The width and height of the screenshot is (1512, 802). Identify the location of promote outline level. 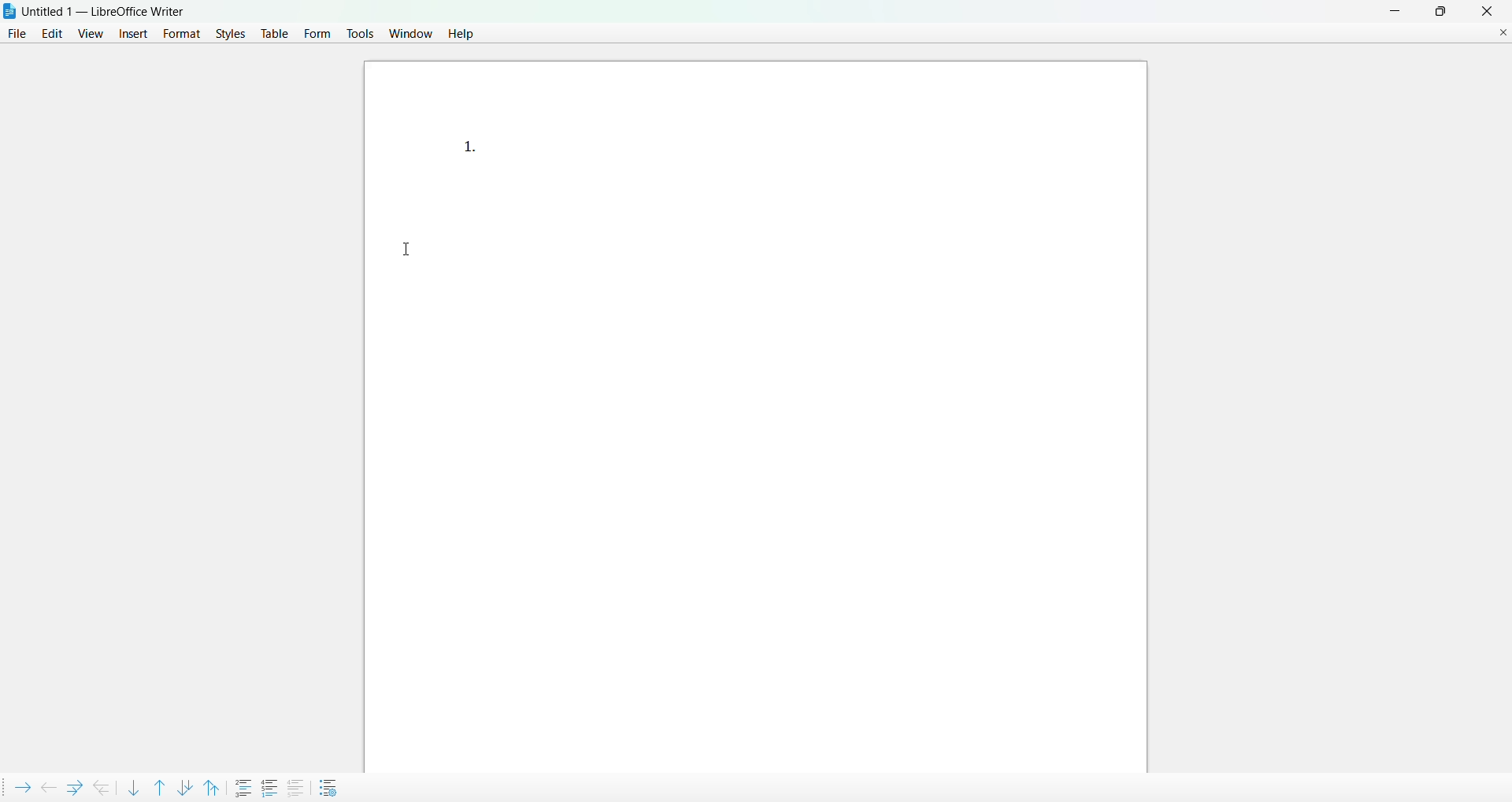
(46, 785).